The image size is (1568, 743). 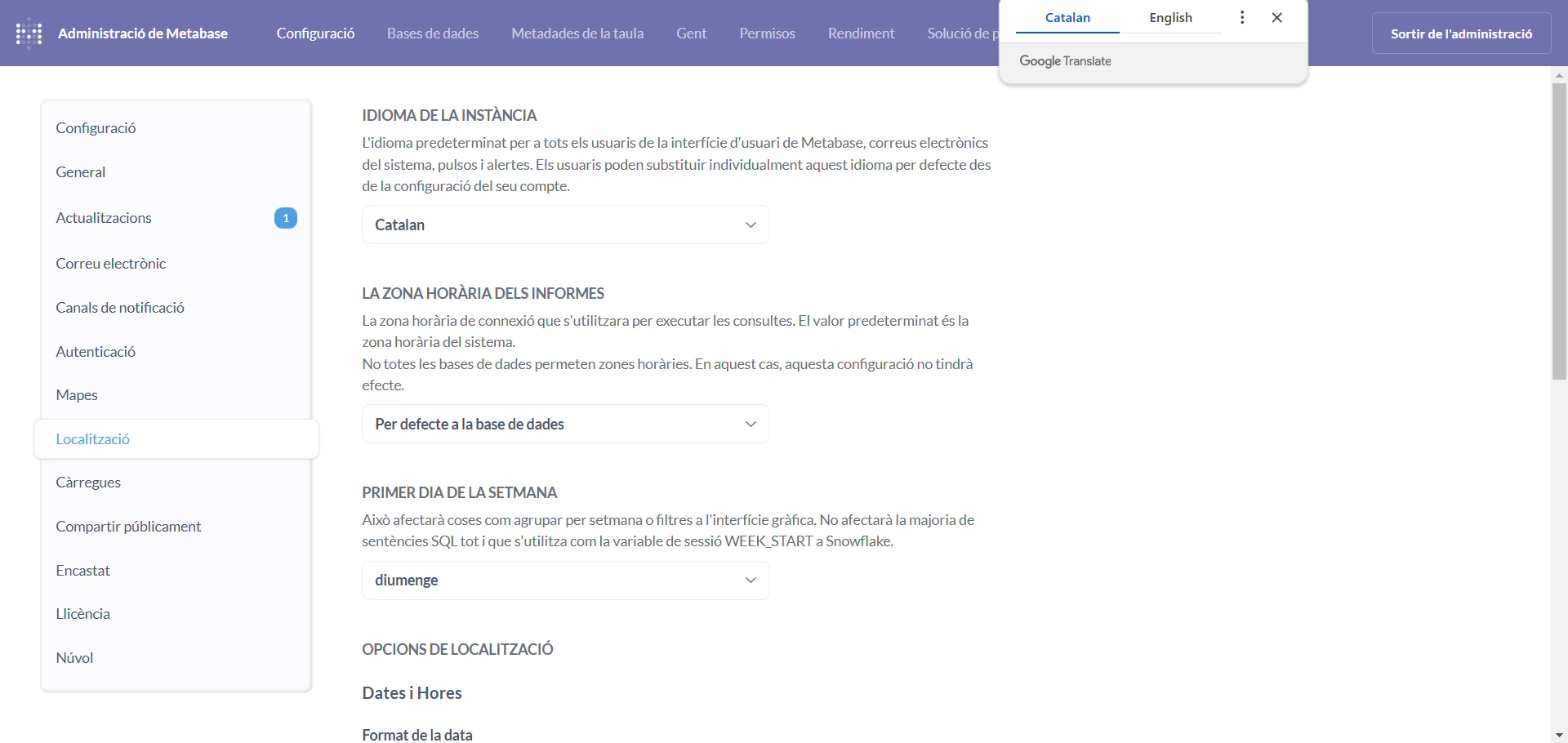 What do you see at coordinates (961, 33) in the screenshot?
I see `Soluci6 de` at bounding box center [961, 33].